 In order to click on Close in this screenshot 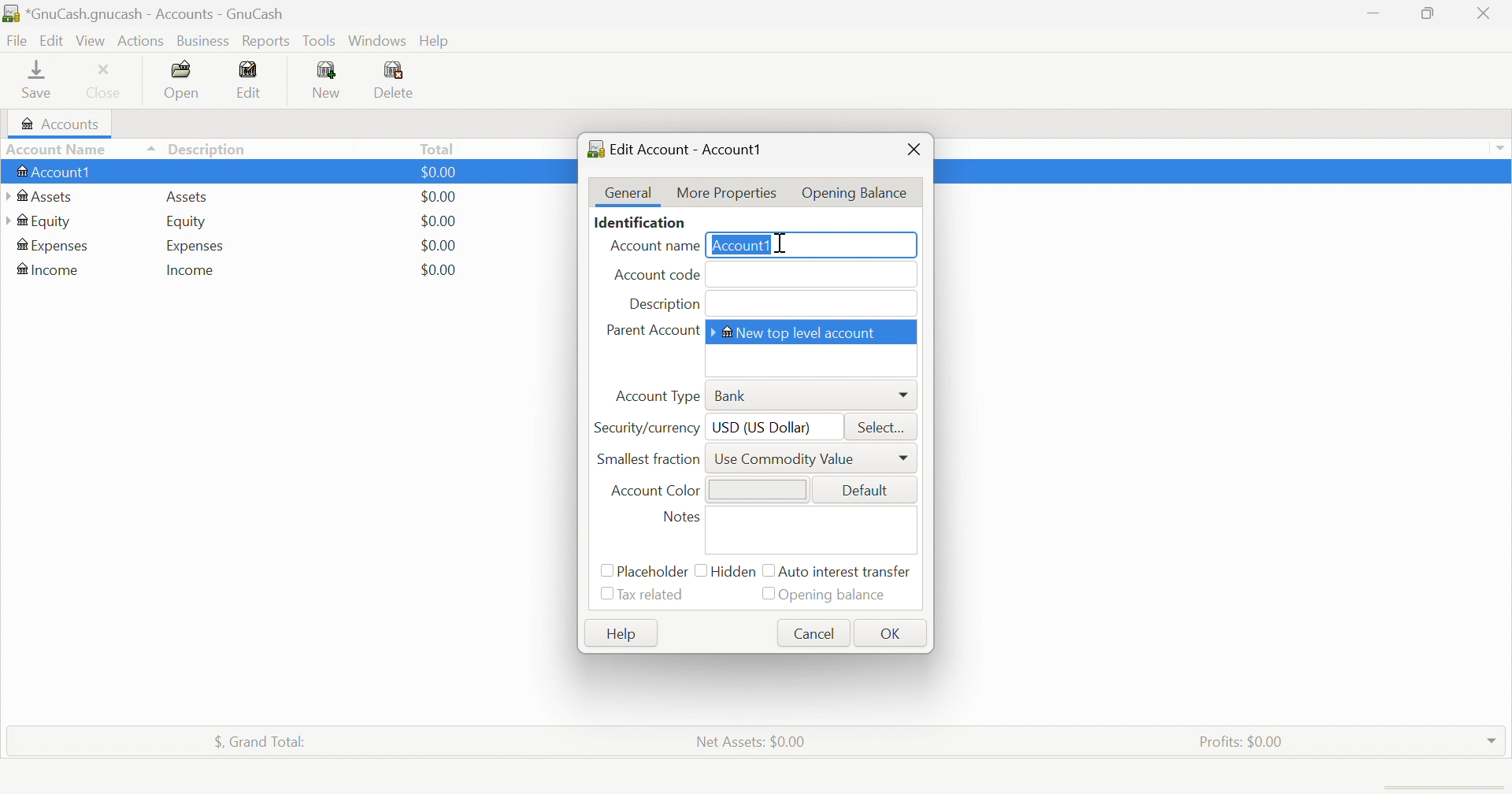, I will do `click(107, 80)`.